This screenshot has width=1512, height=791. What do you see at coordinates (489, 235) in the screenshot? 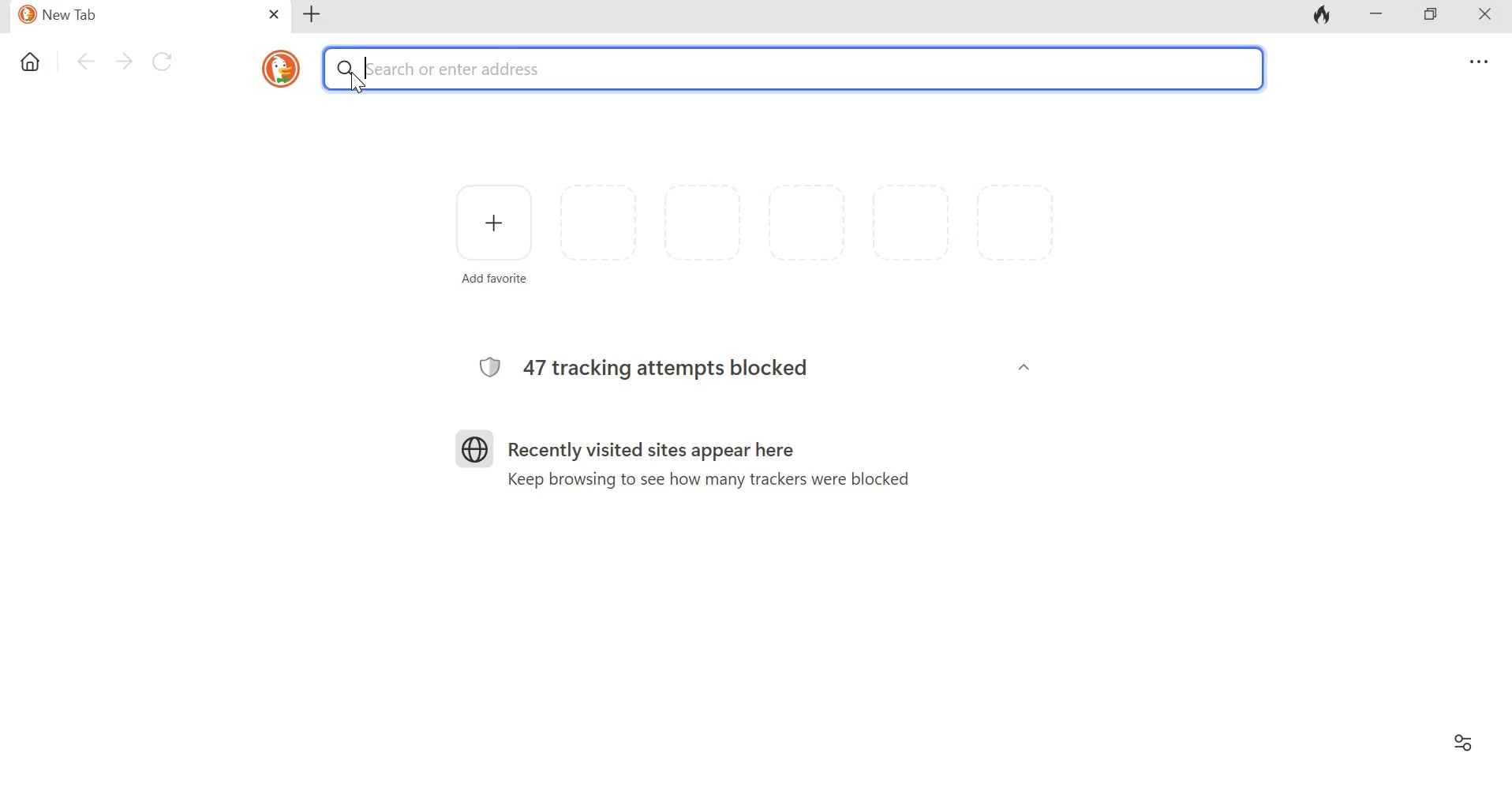
I see `Add favorite` at bounding box center [489, 235].